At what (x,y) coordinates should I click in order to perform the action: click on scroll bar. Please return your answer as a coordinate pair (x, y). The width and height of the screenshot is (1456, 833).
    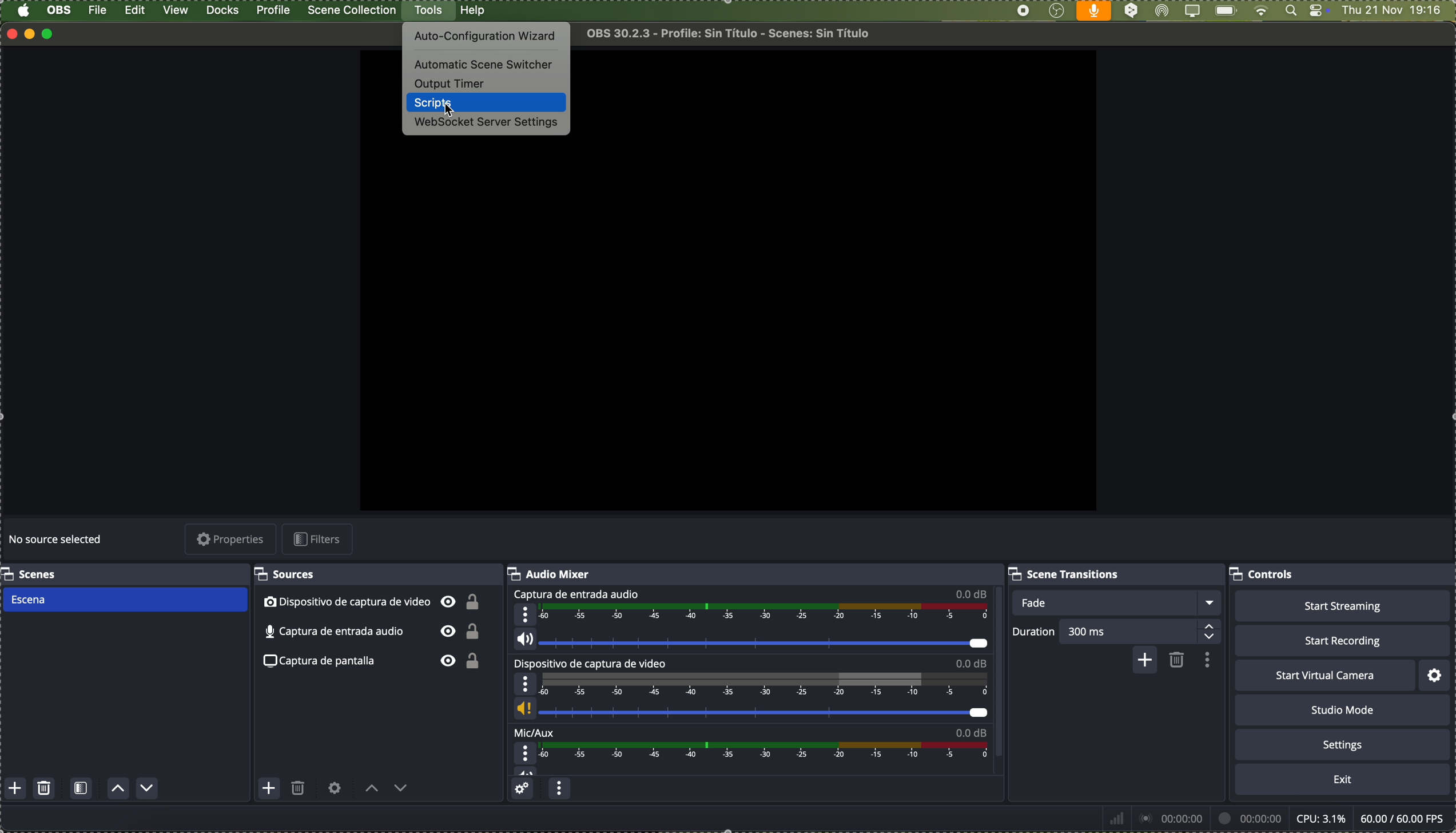
    Looking at the image, I should click on (1004, 675).